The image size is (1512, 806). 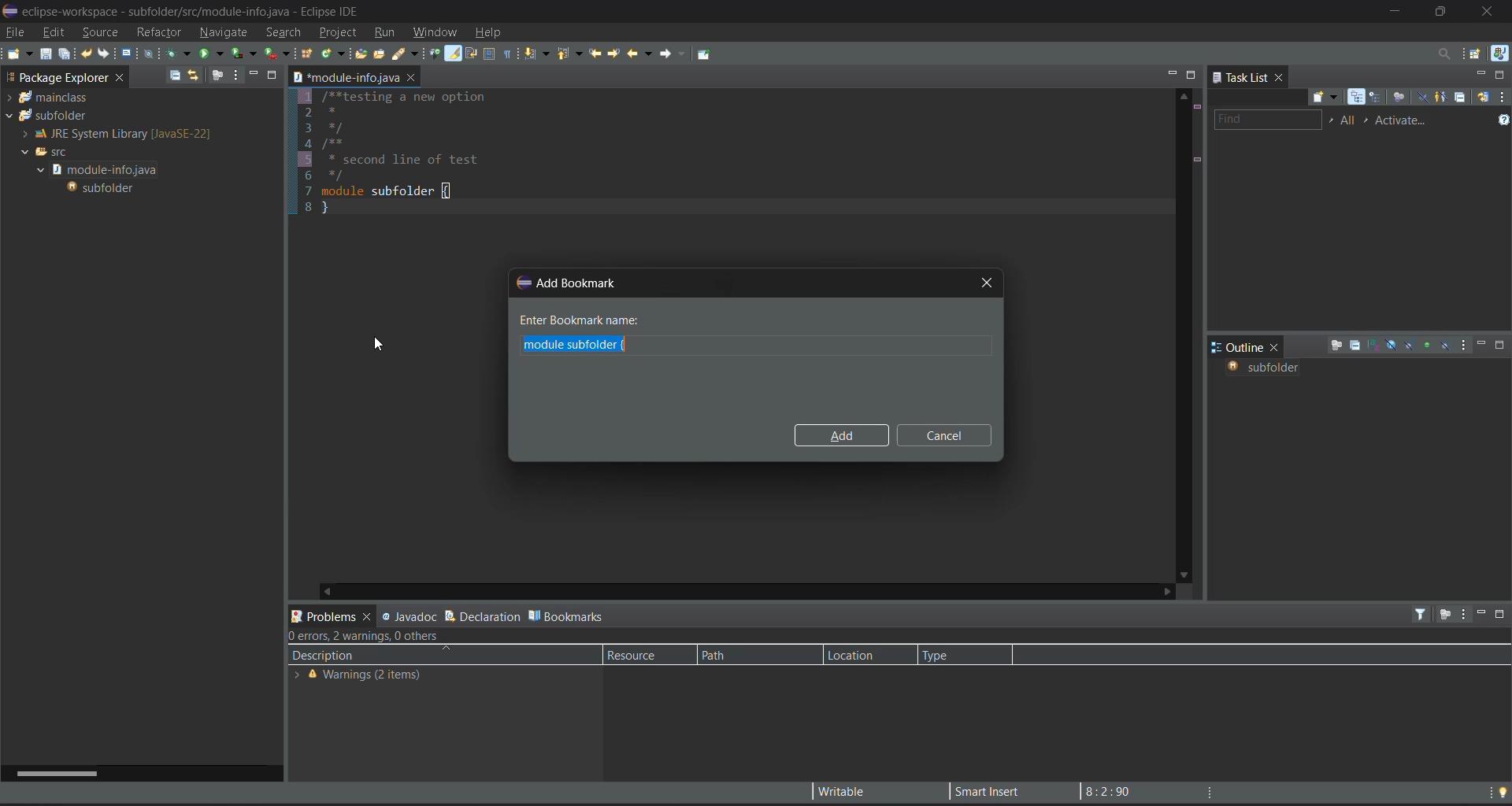 What do you see at coordinates (1378, 98) in the screenshot?
I see `scheduled ` at bounding box center [1378, 98].